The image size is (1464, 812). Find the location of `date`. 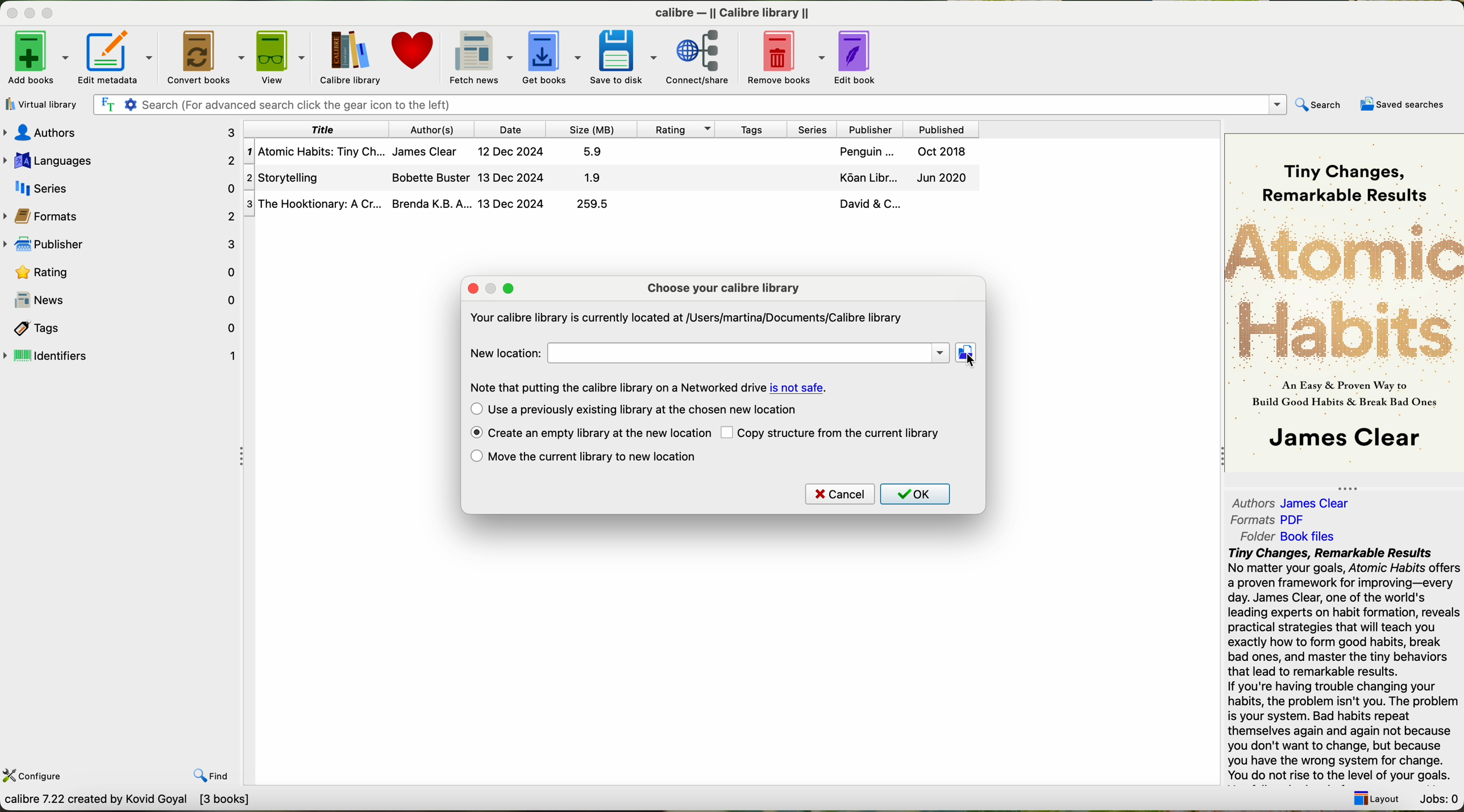

date is located at coordinates (510, 129).